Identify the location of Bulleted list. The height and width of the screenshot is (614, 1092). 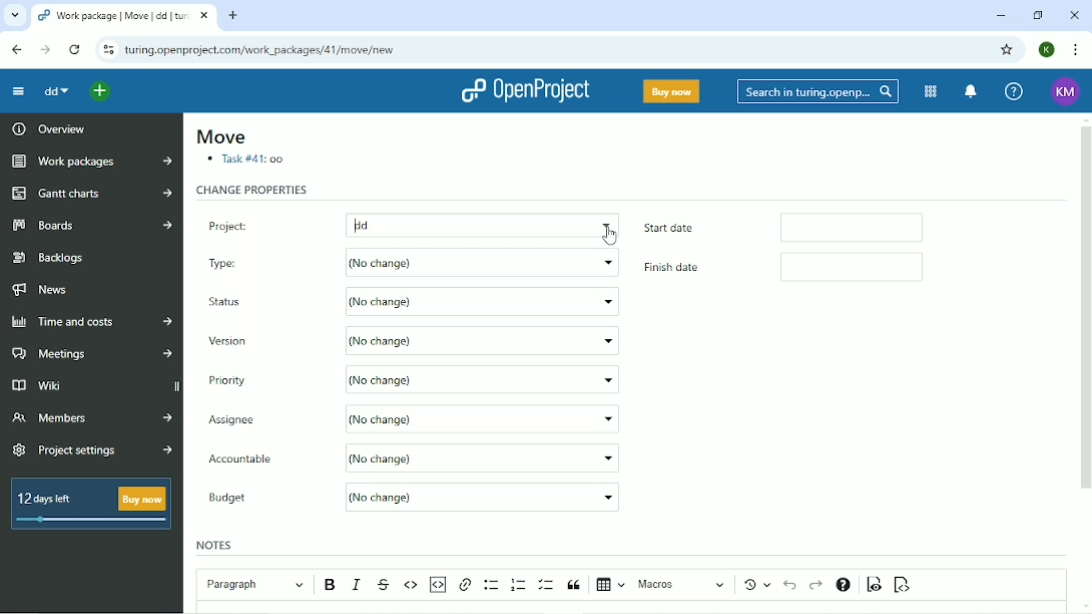
(492, 585).